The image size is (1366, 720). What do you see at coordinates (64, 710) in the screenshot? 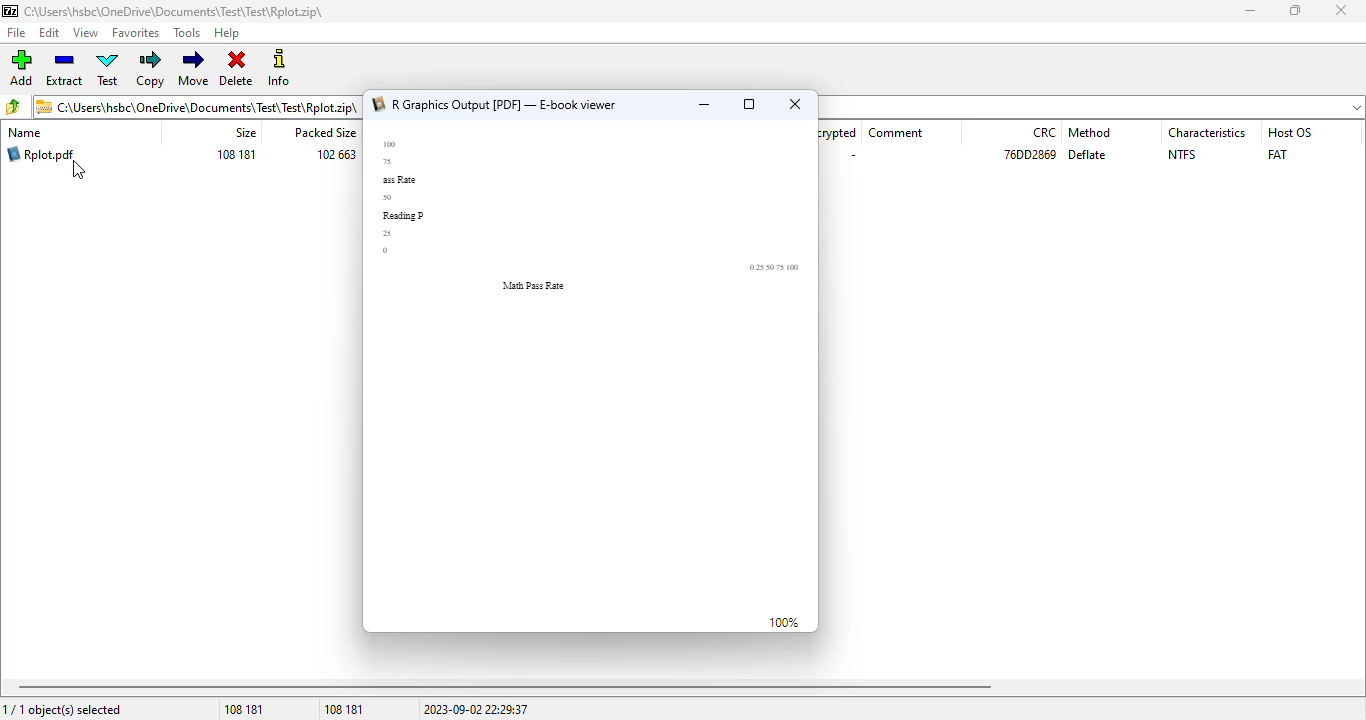
I see `1/1 object(s) selected` at bounding box center [64, 710].